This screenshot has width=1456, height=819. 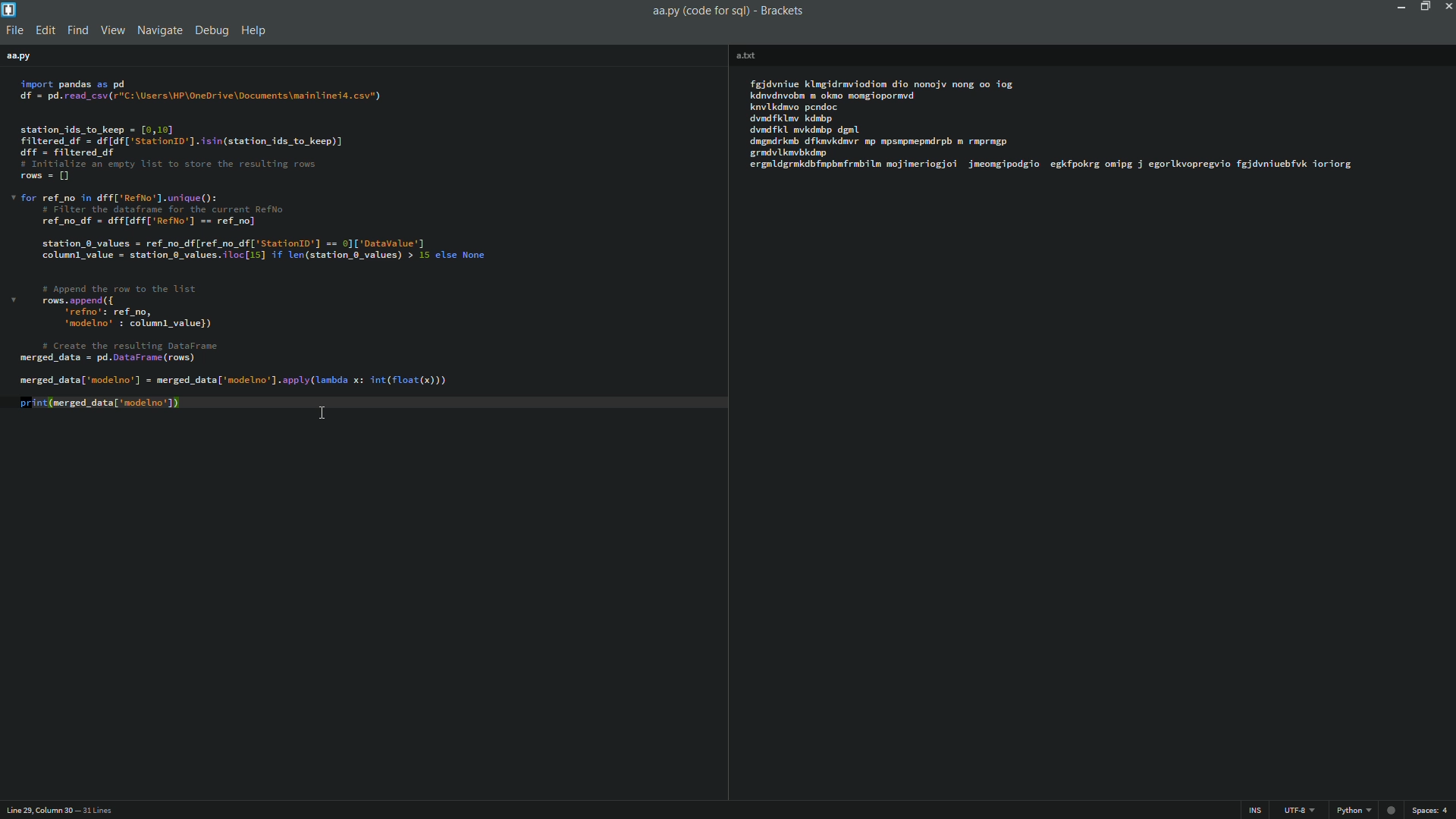 I want to click on cursor position, so click(x=63, y=808).